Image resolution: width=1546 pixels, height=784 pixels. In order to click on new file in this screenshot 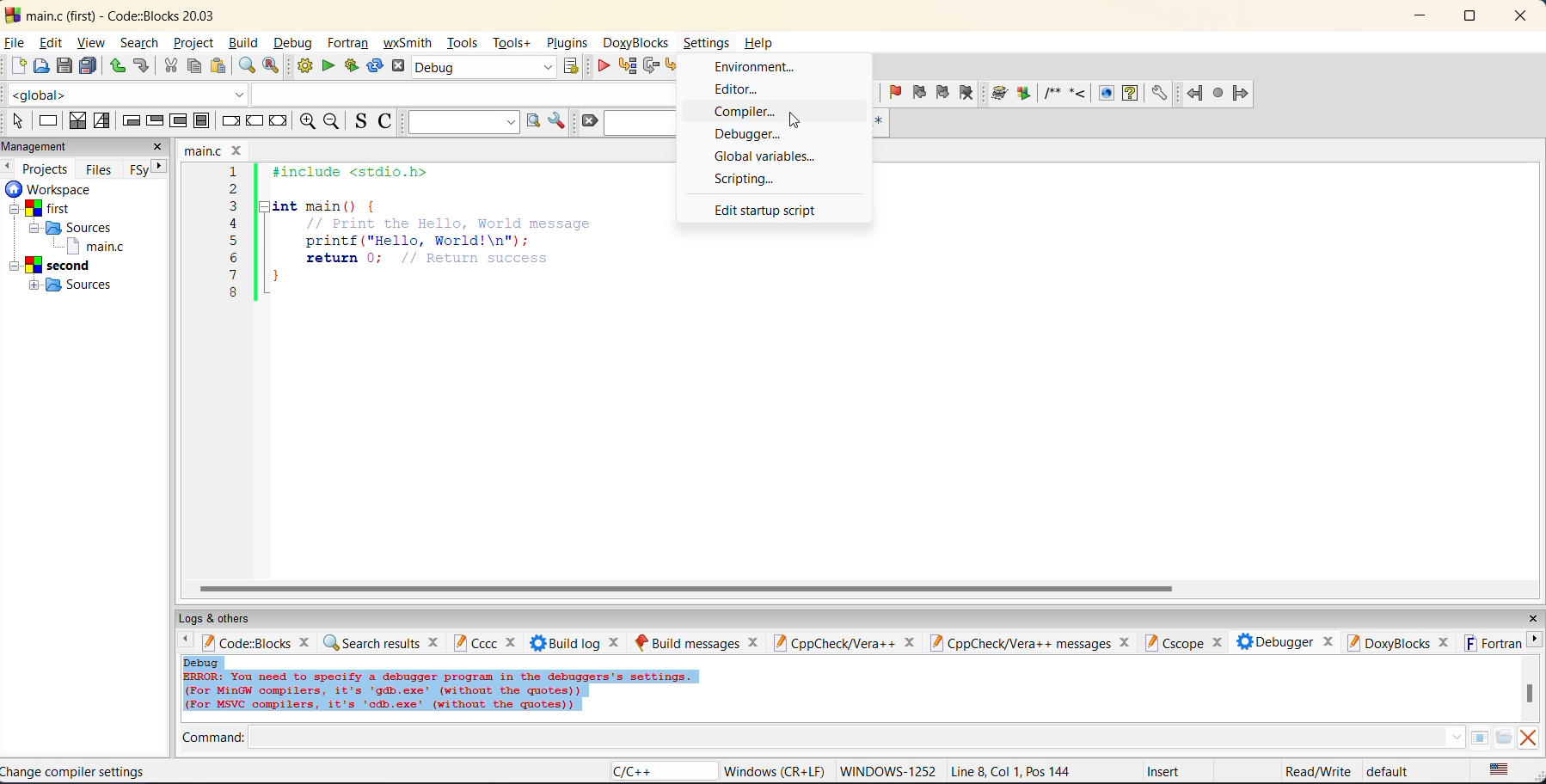, I will do `click(20, 67)`.